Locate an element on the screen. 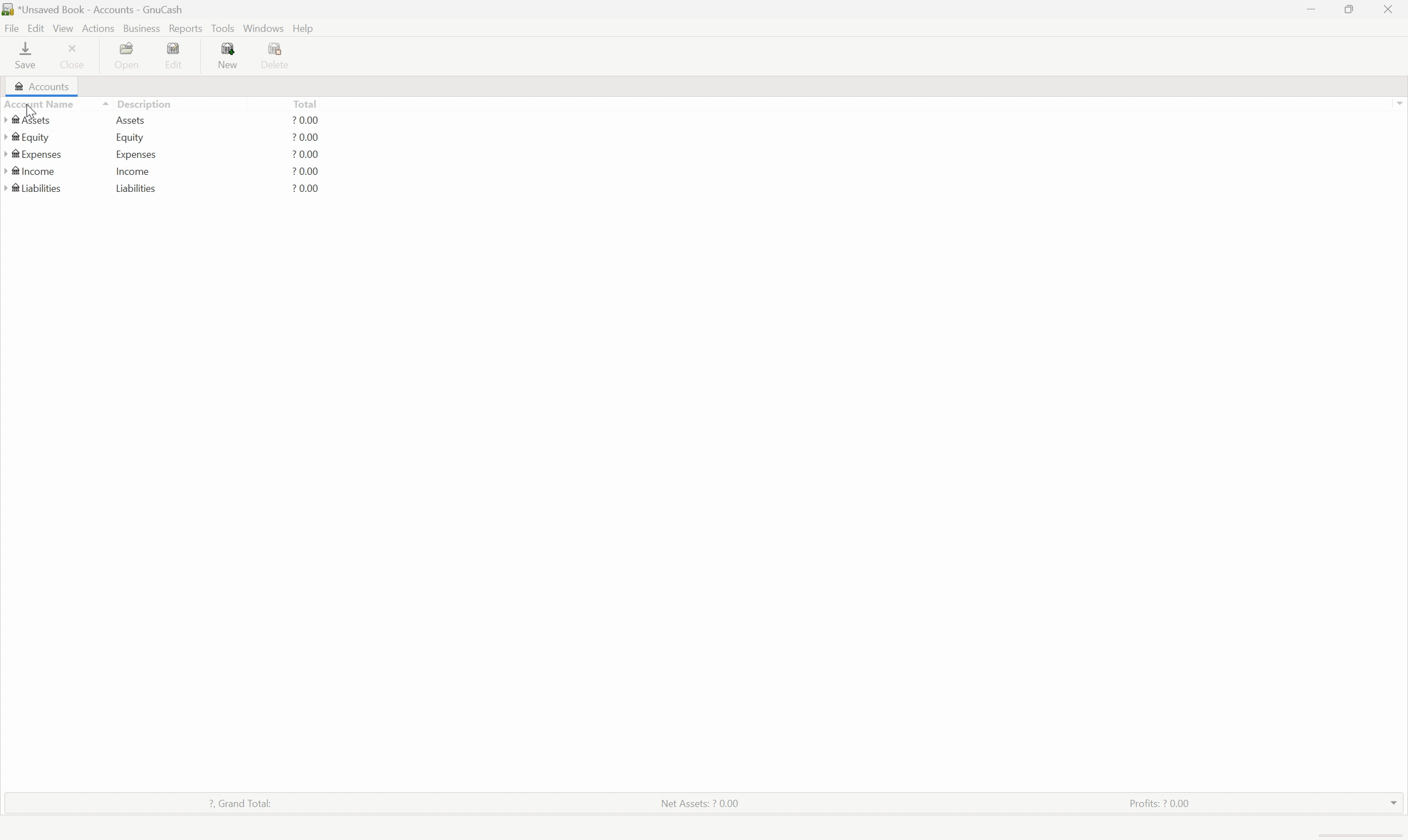  Equity is located at coordinates (132, 136).